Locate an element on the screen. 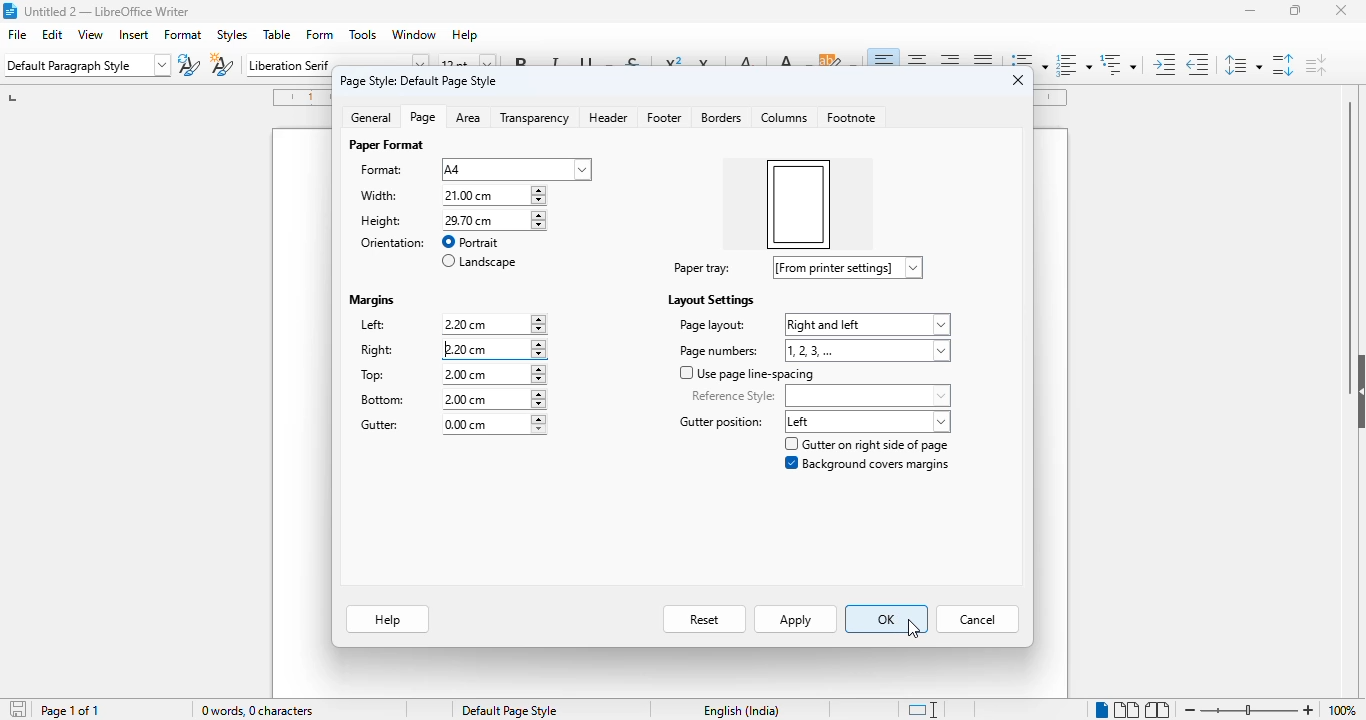 The image size is (1366, 720). edit is located at coordinates (53, 34).